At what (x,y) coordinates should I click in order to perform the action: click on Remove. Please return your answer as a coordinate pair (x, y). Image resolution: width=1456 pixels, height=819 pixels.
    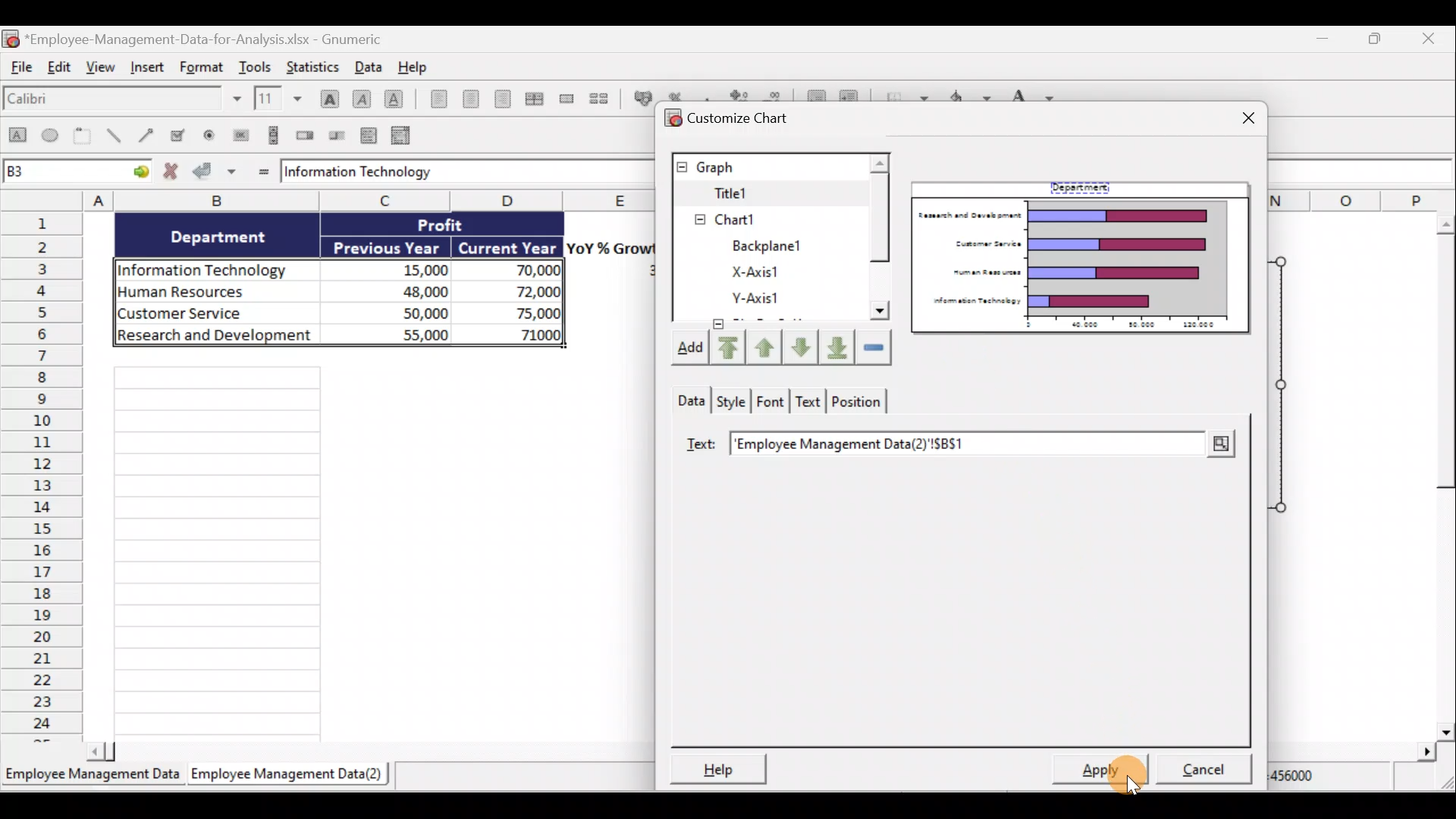
    Looking at the image, I should click on (873, 347).